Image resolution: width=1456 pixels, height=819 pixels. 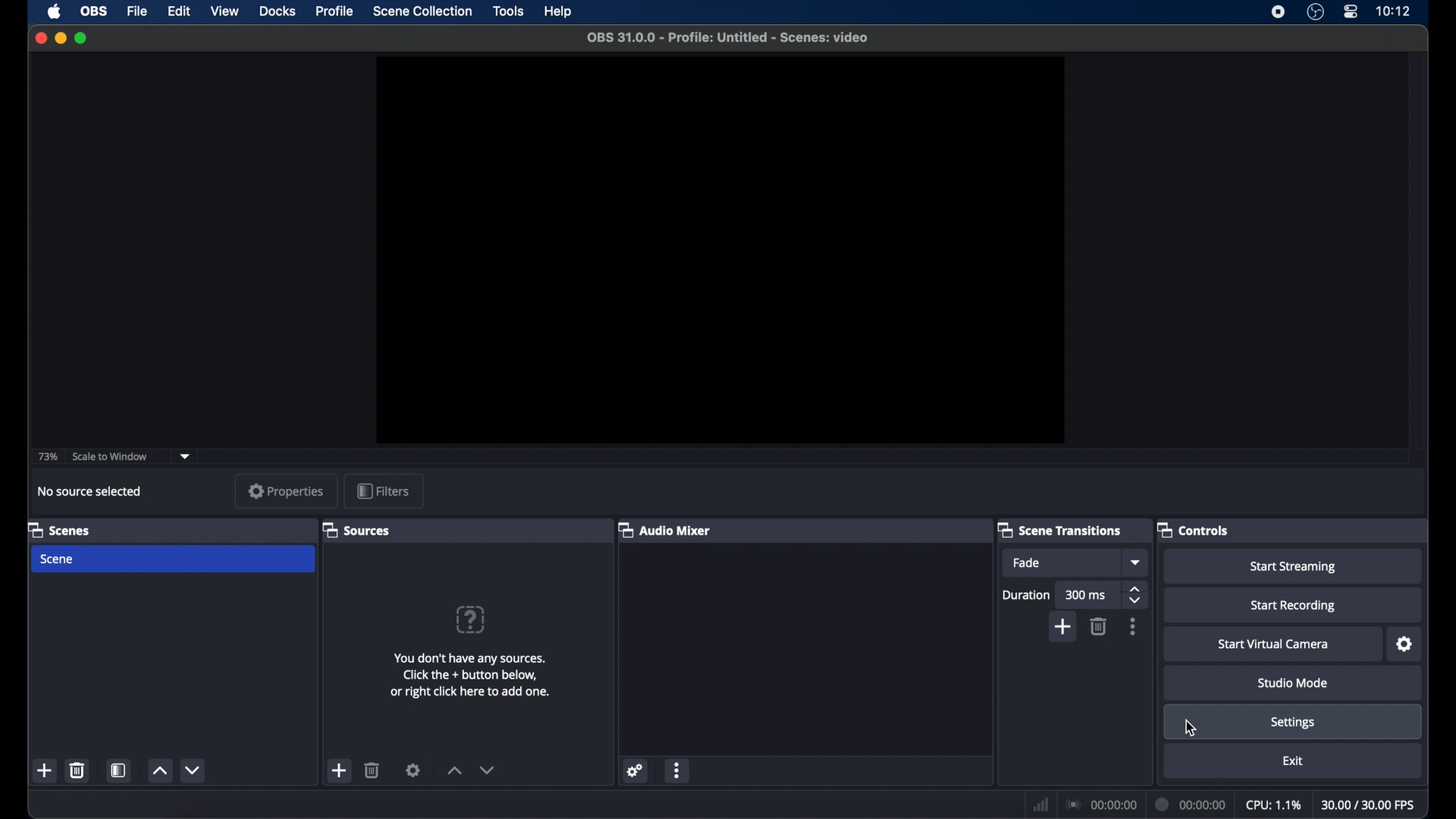 What do you see at coordinates (1191, 729) in the screenshot?
I see `cursor` at bounding box center [1191, 729].